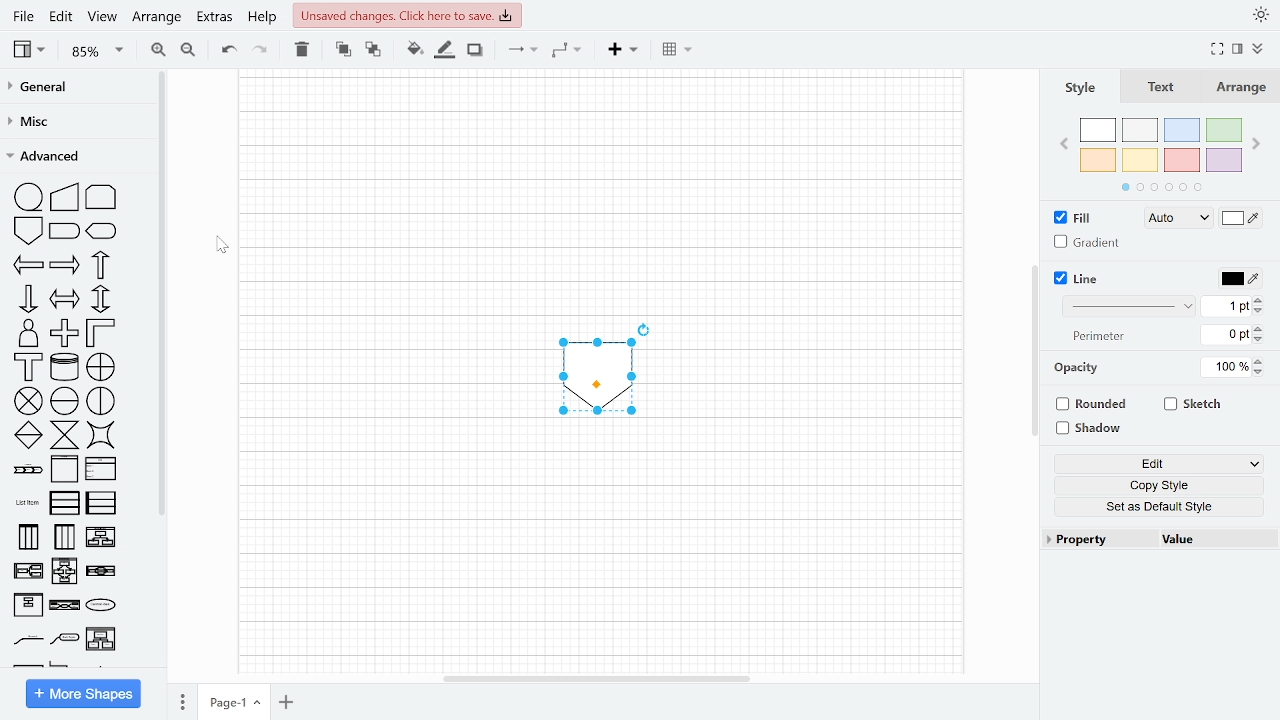 The width and height of the screenshot is (1280, 720). What do you see at coordinates (1140, 130) in the screenshot?
I see `ash` at bounding box center [1140, 130].